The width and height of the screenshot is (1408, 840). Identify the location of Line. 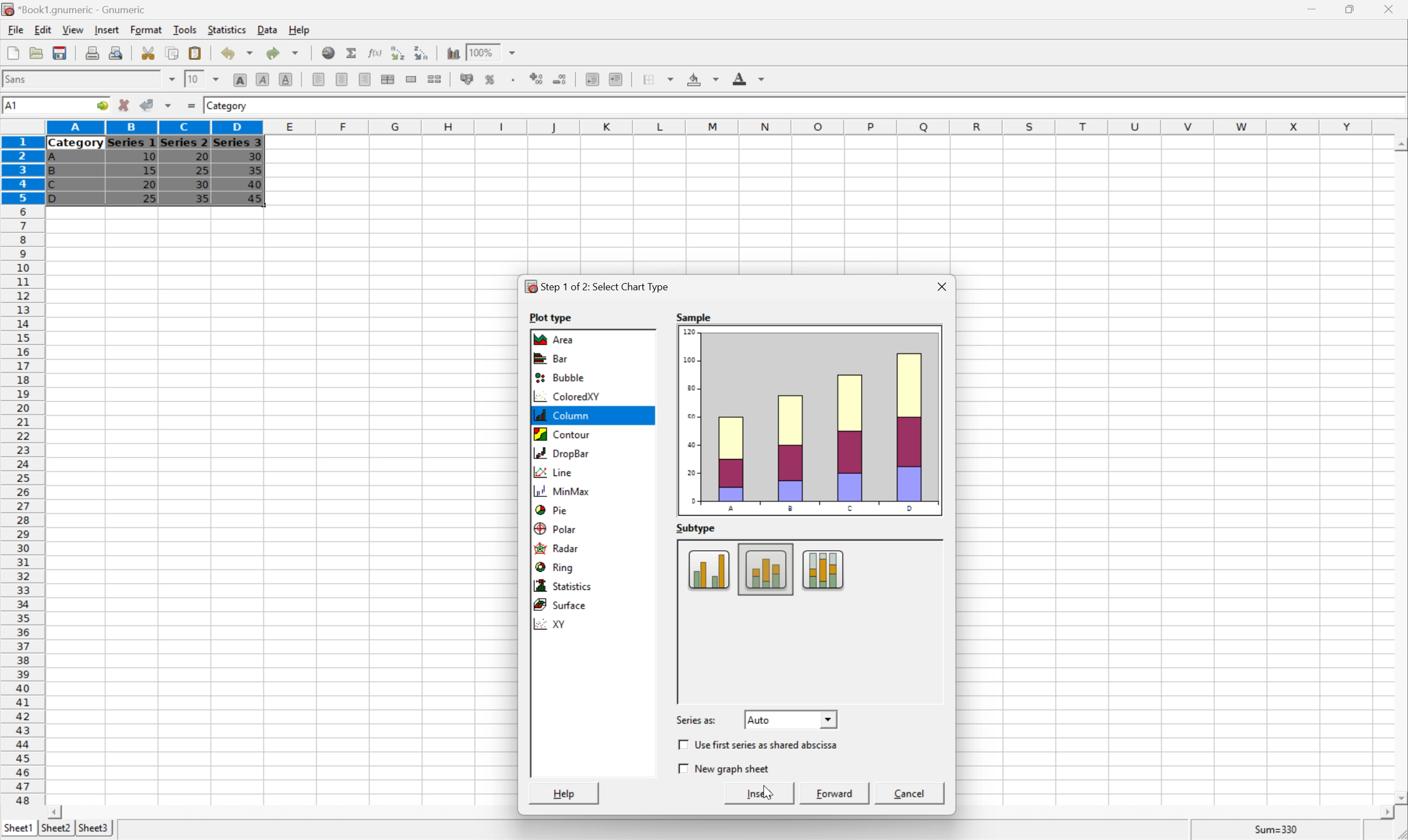
(552, 474).